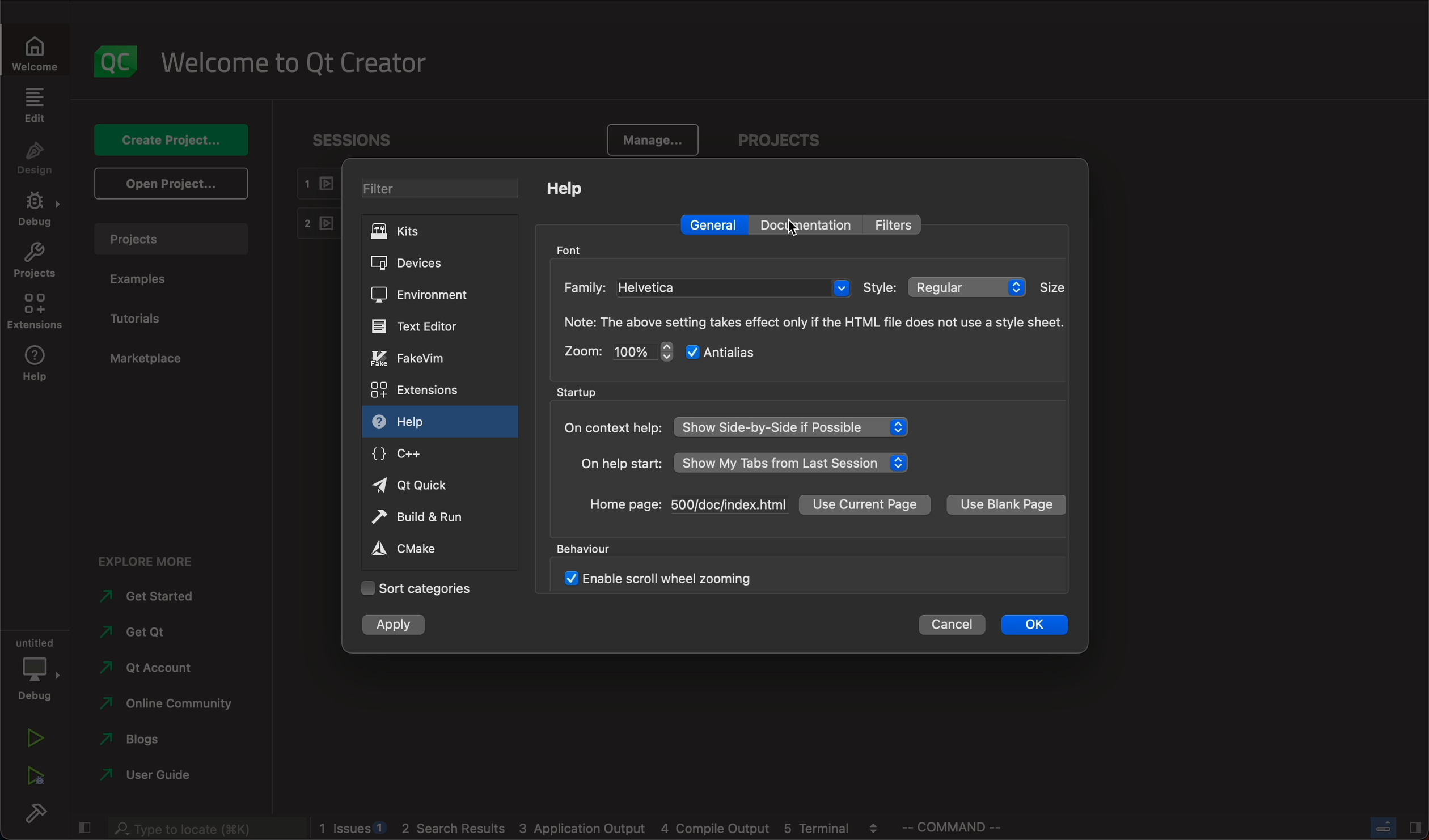 This screenshot has height=840, width=1429. What do you see at coordinates (434, 262) in the screenshot?
I see `devices` at bounding box center [434, 262].